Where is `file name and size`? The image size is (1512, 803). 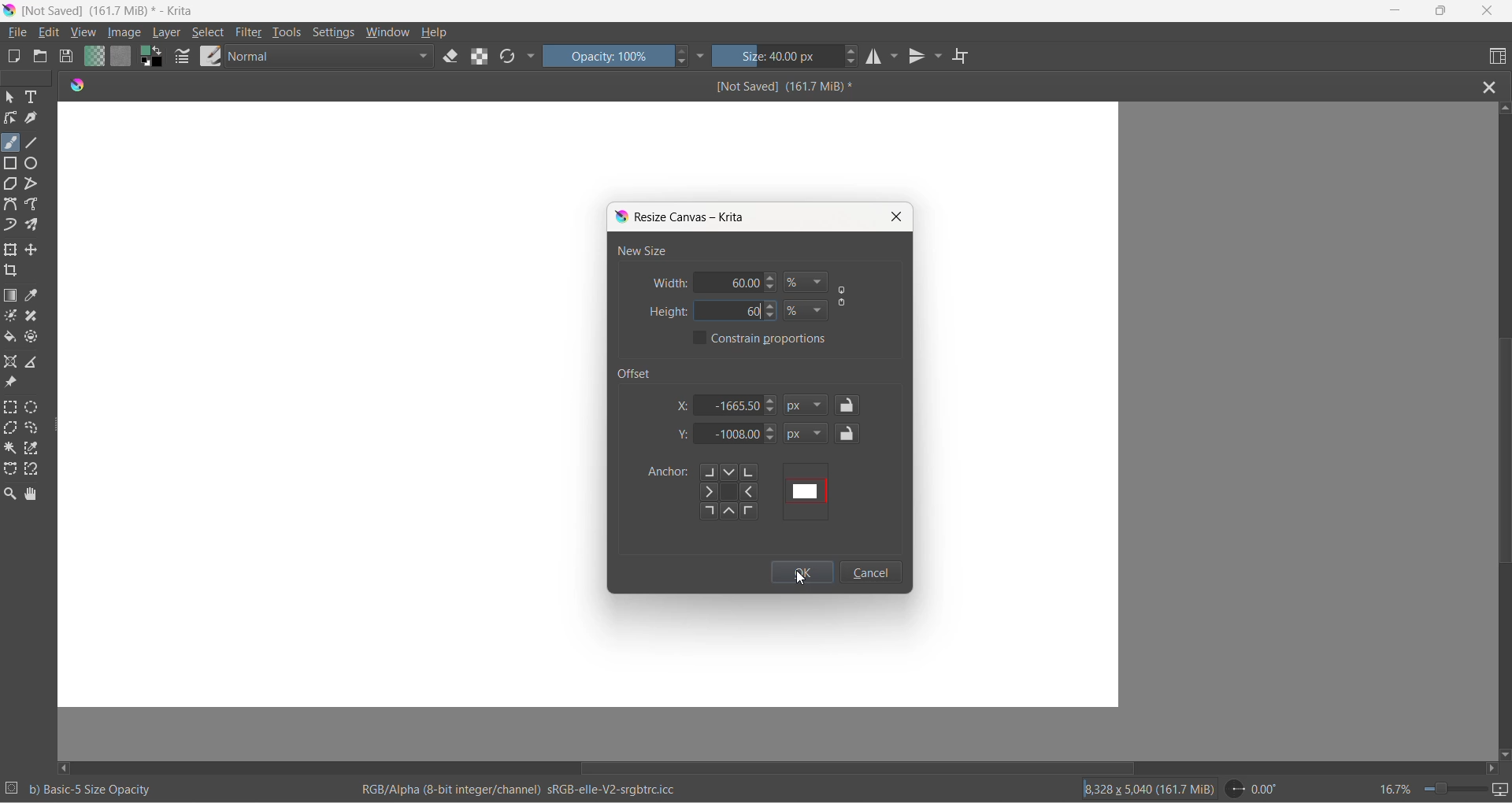
file name and size is located at coordinates (769, 87).